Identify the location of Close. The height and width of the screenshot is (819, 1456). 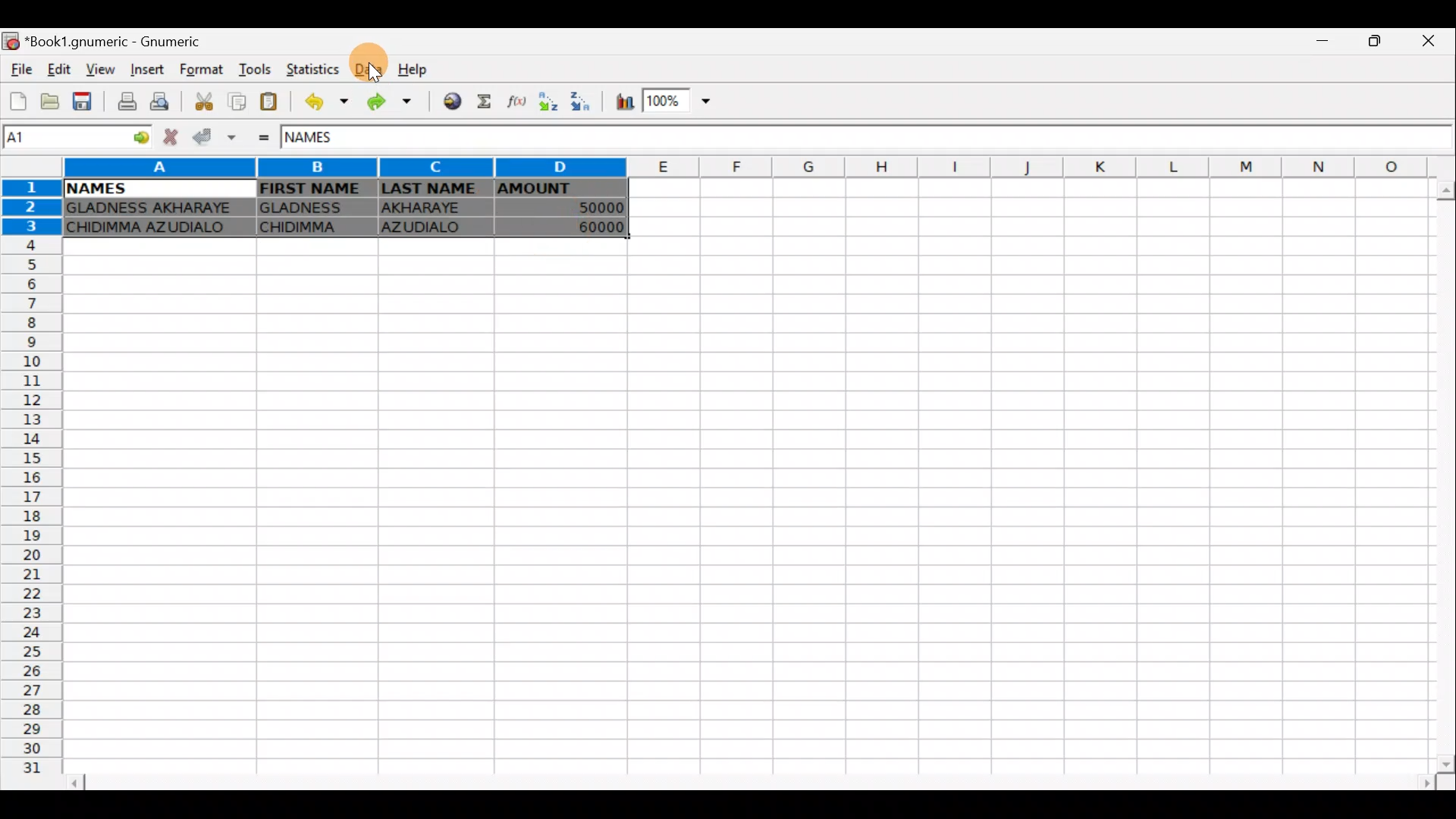
(1434, 41).